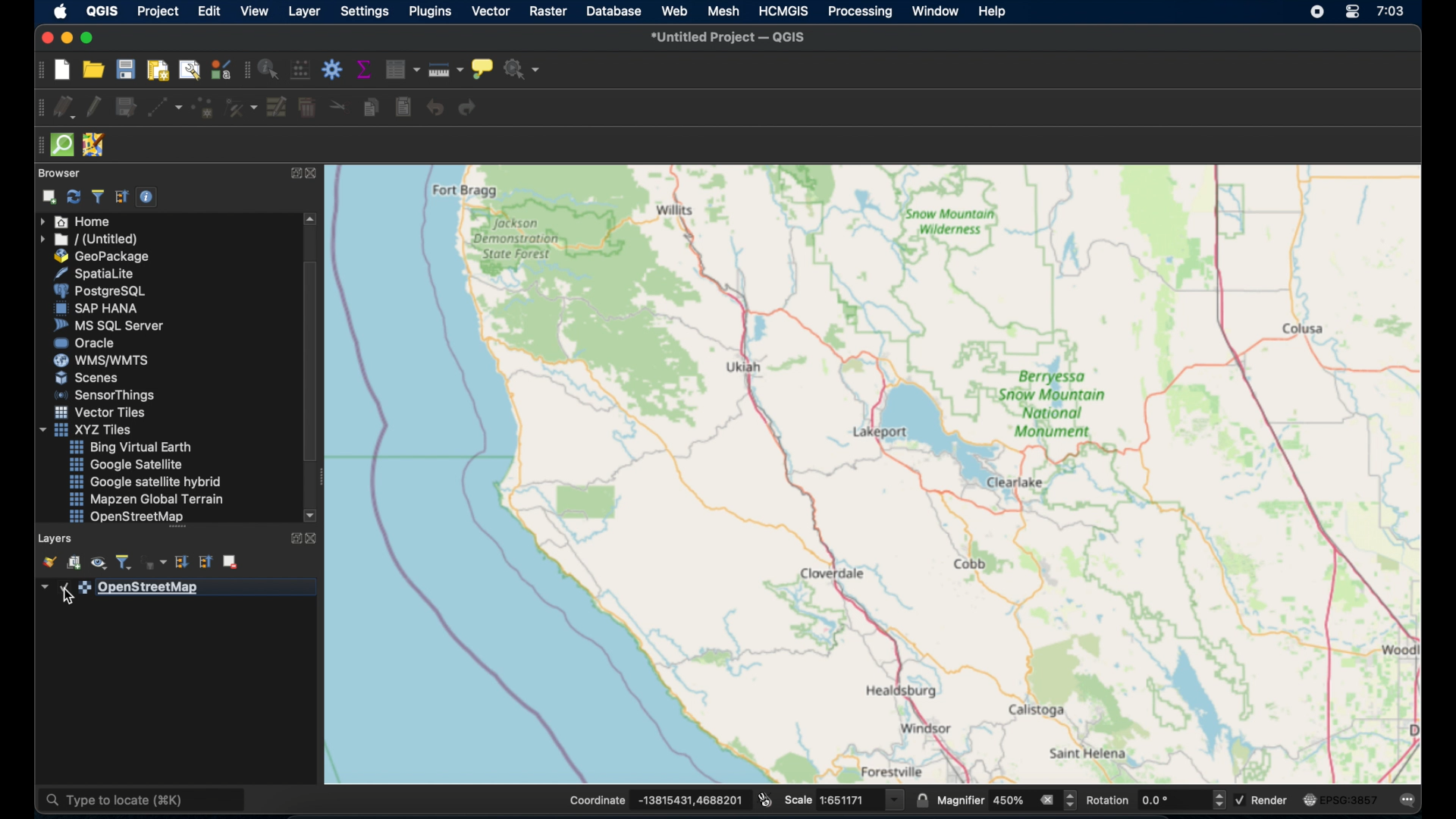 The image size is (1456, 819). Describe the element at coordinates (207, 9) in the screenshot. I see `edit` at that location.